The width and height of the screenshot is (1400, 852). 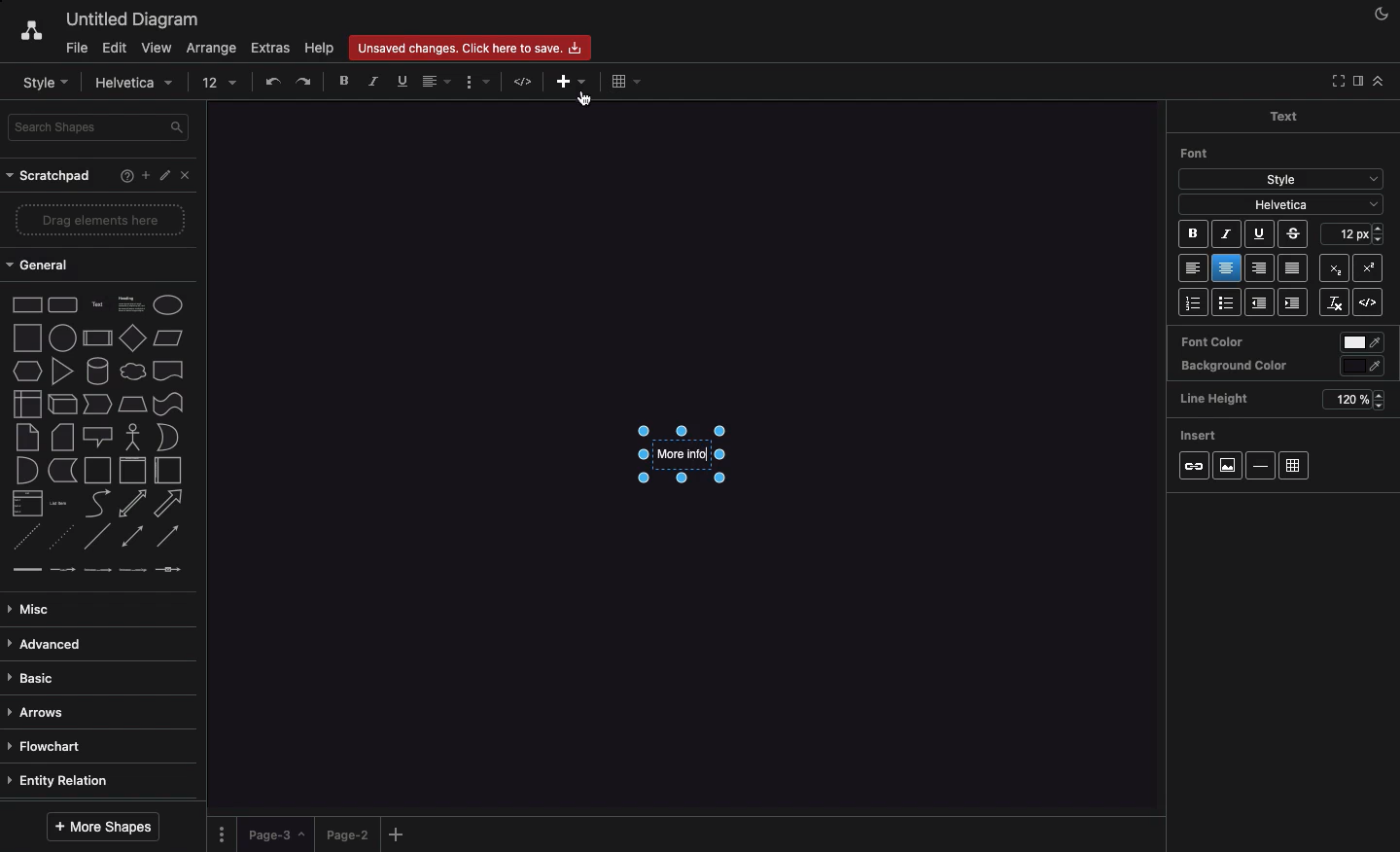 I want to click on rectangle, so click(x=28, y=304).